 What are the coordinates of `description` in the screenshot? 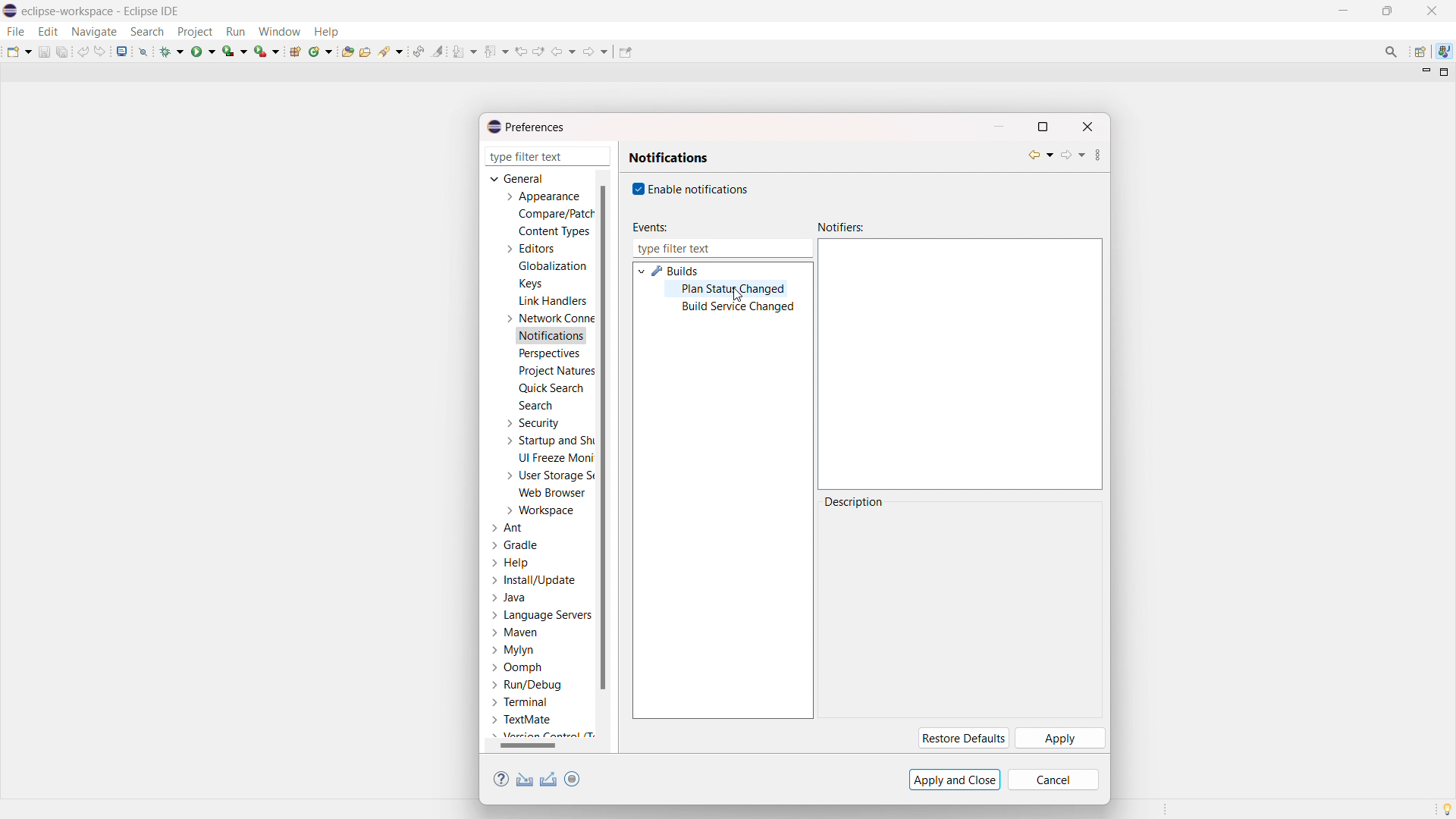 It's located at (855, 502).